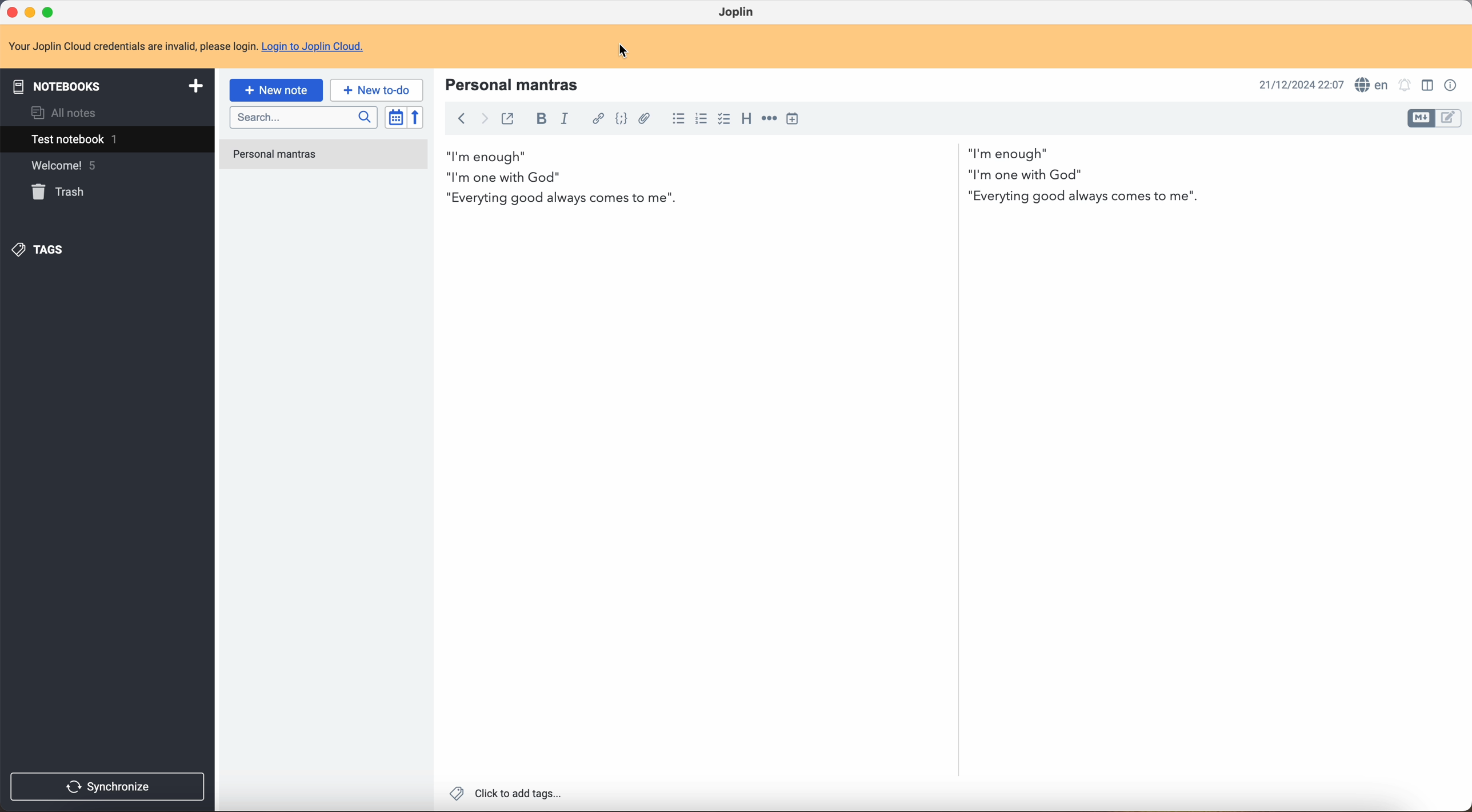 The height and width of the screenshot is (812, 1472). I want to click on close program, so click(10, 12).